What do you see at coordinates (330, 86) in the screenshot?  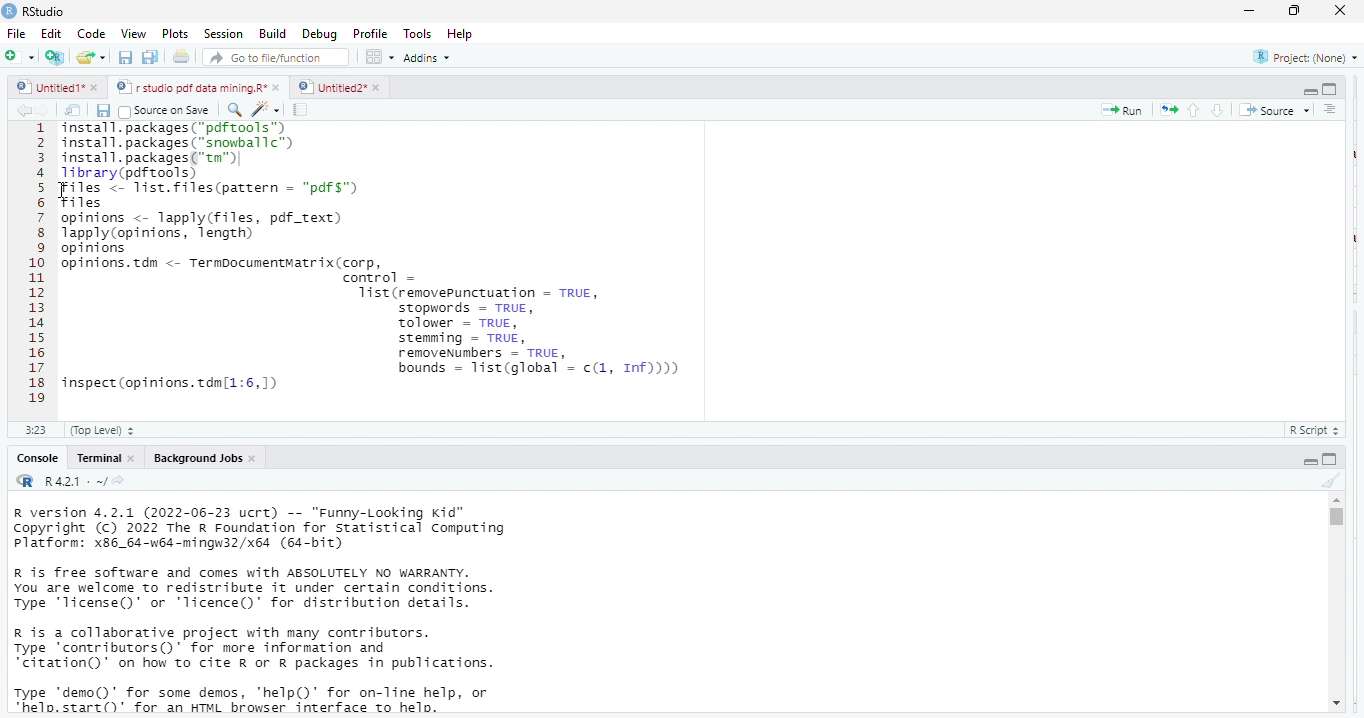 I see `untitled 2` at bounding box center [330, 86].